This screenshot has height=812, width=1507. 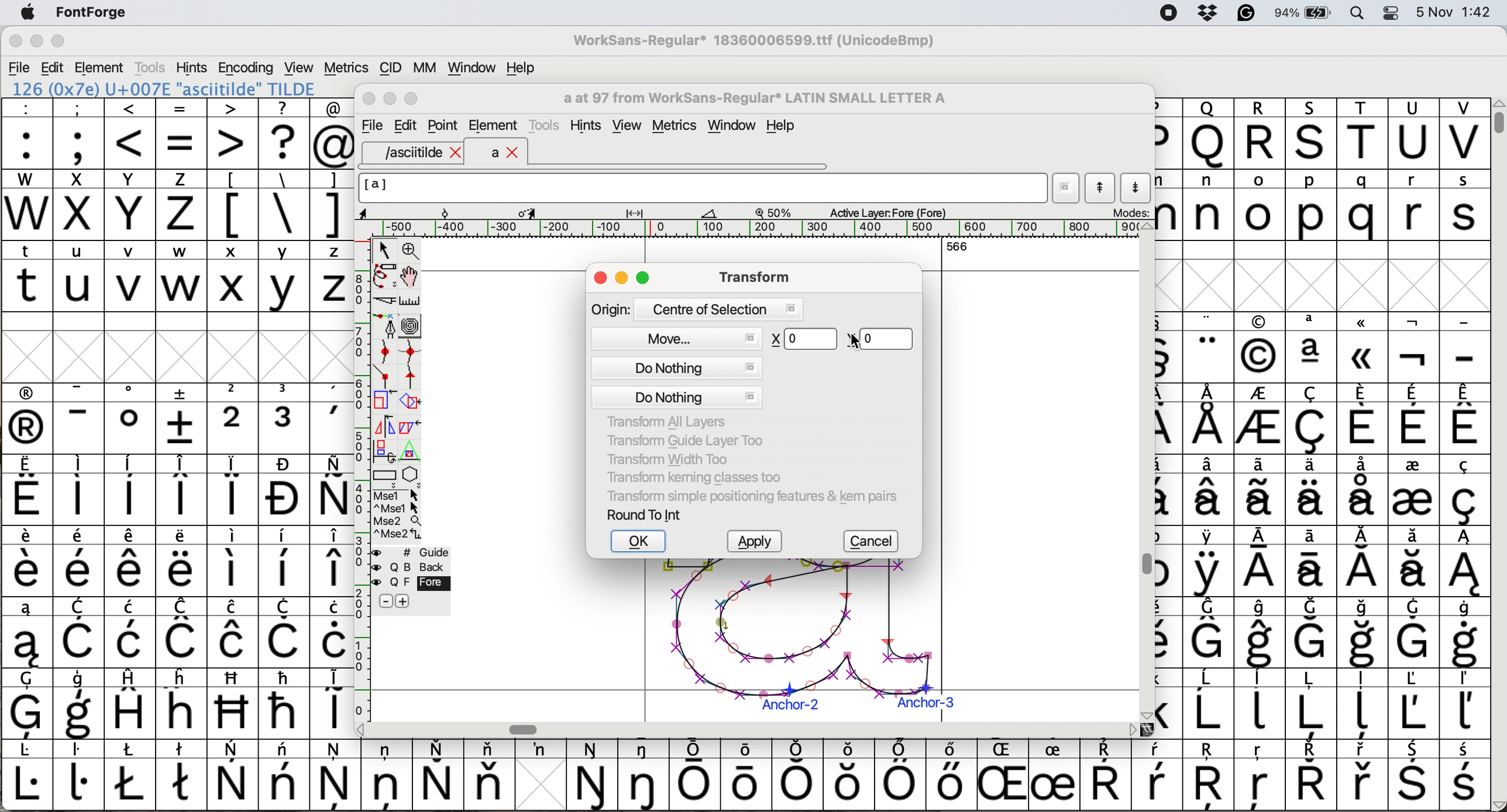 I want to click on a, so click(x=505, y=153).